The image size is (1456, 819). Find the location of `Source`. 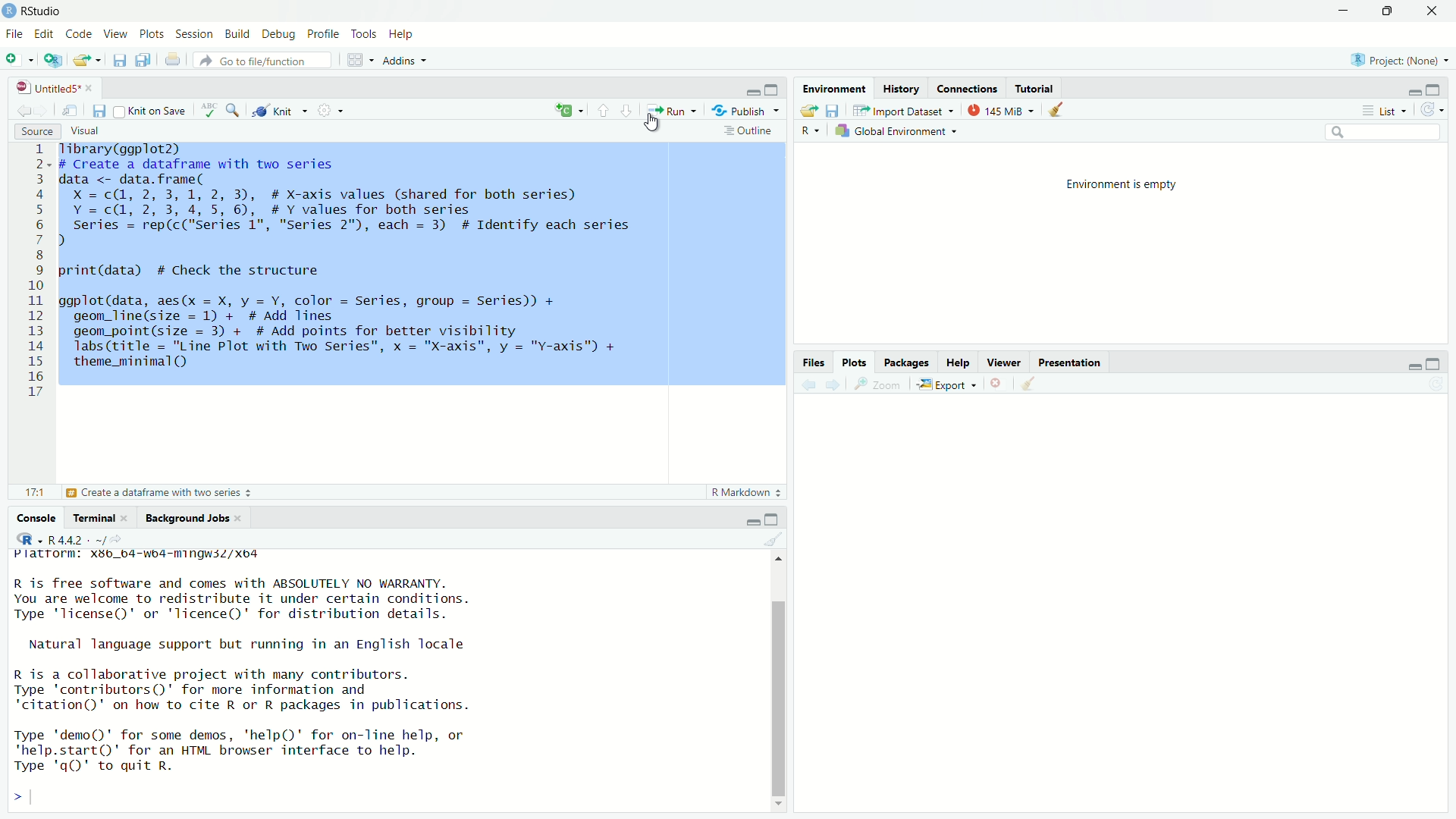

Source is located at coordinates (36, 132).